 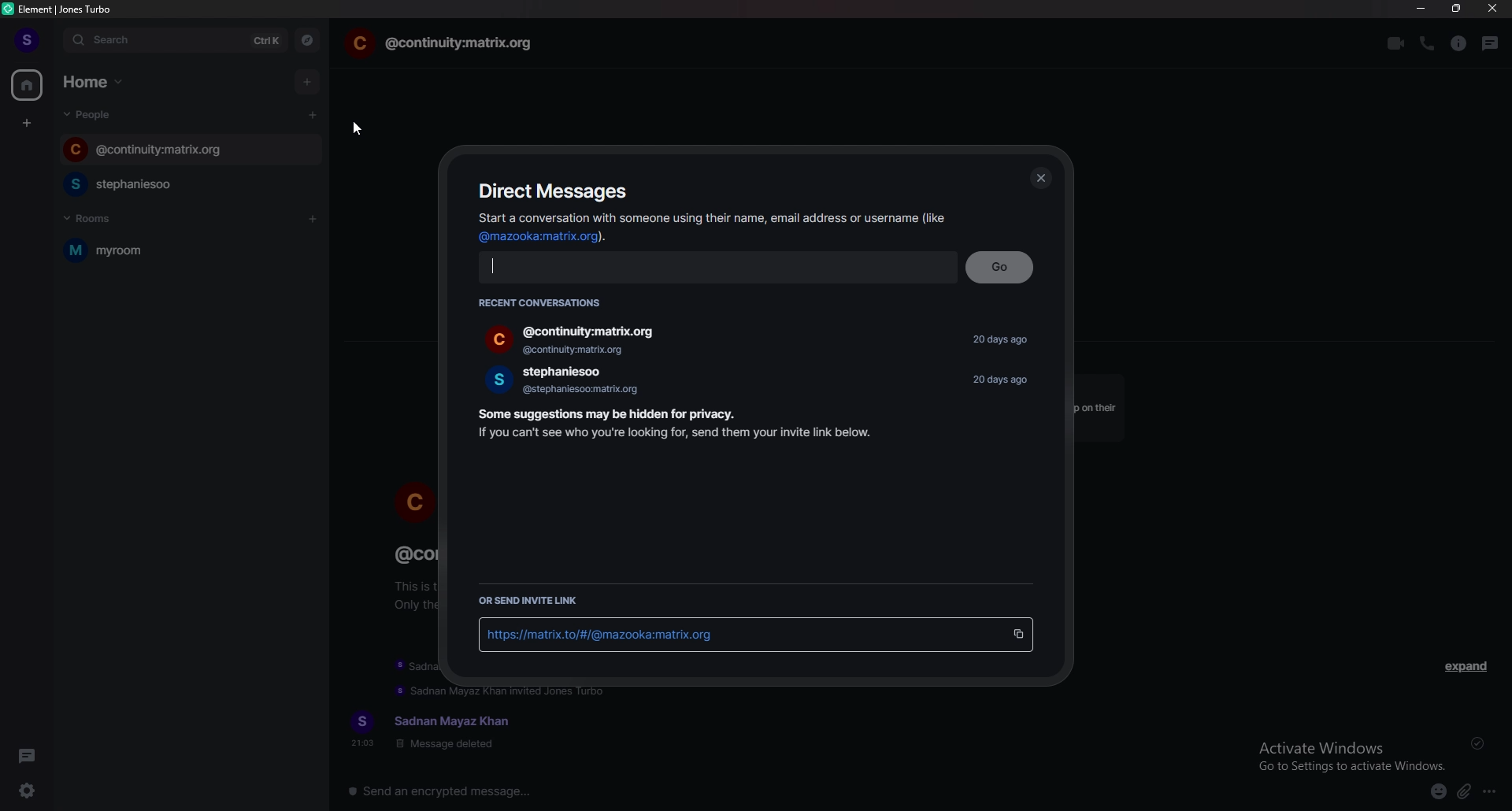 I want to click on recent conversations, so click(x=550, y=303).